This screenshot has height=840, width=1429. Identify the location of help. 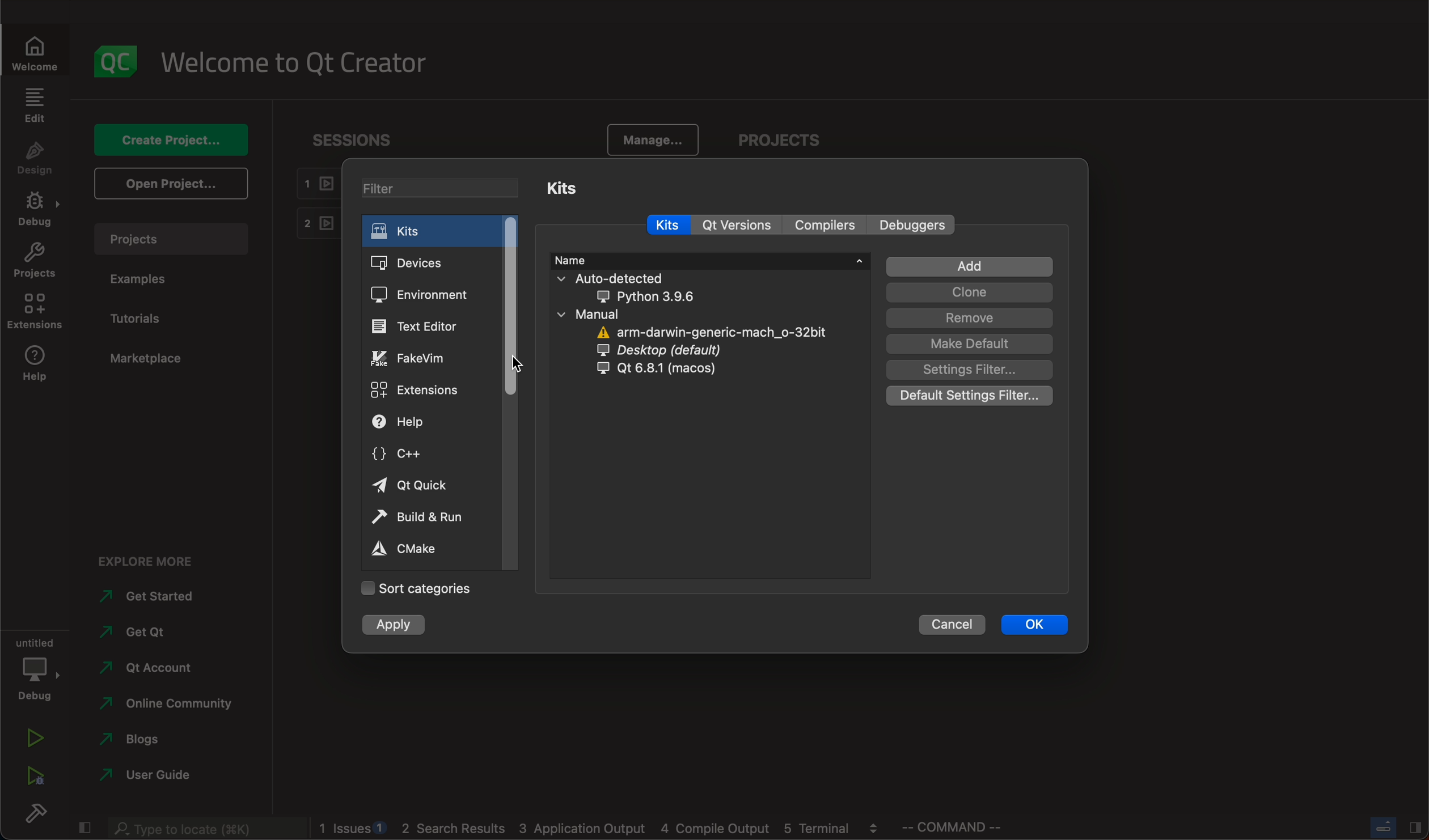
(36, 366).